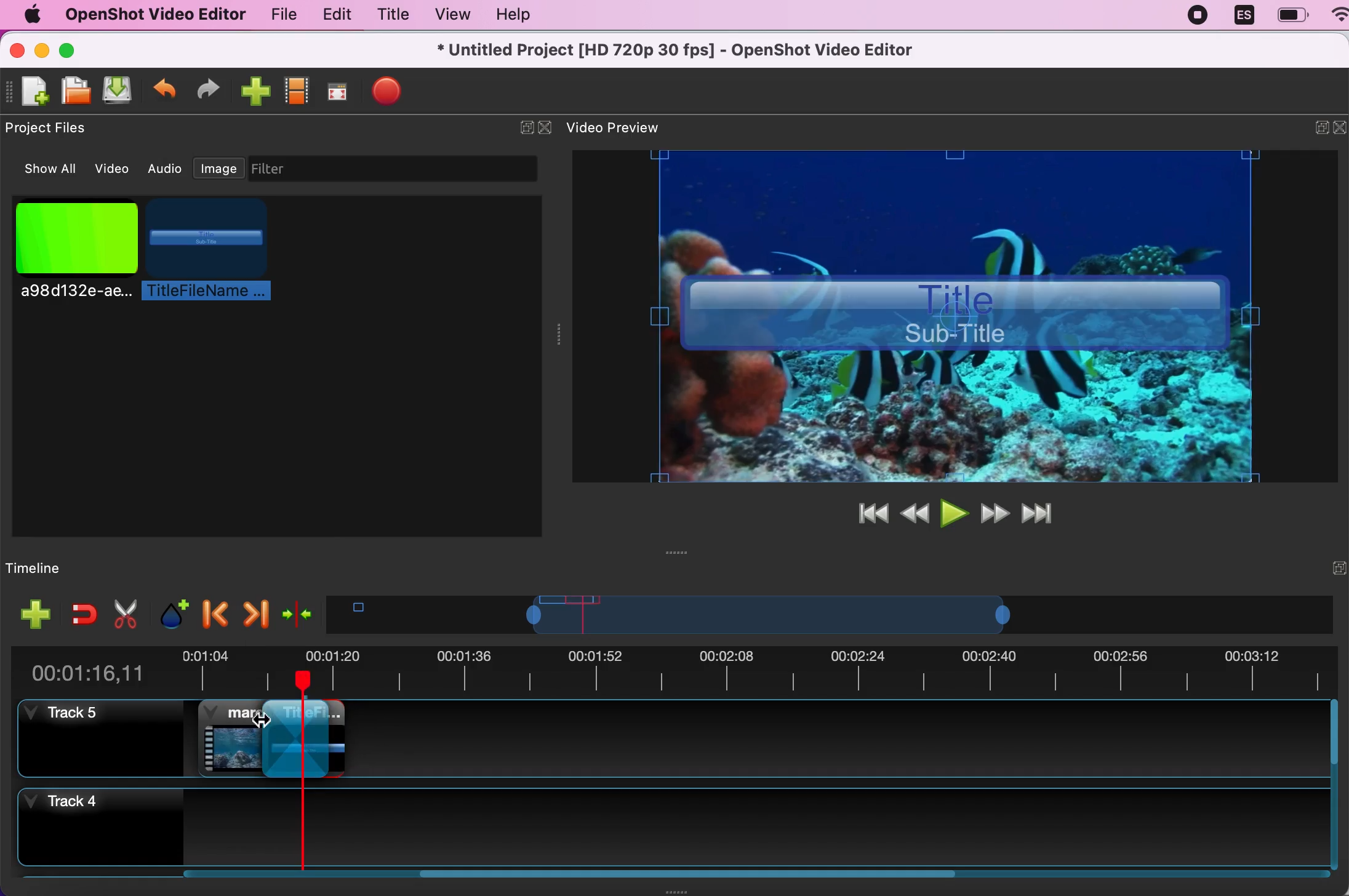 The width and height of the screenshot is (1349, 896). I want to click on choose profile, so click(298, 89).